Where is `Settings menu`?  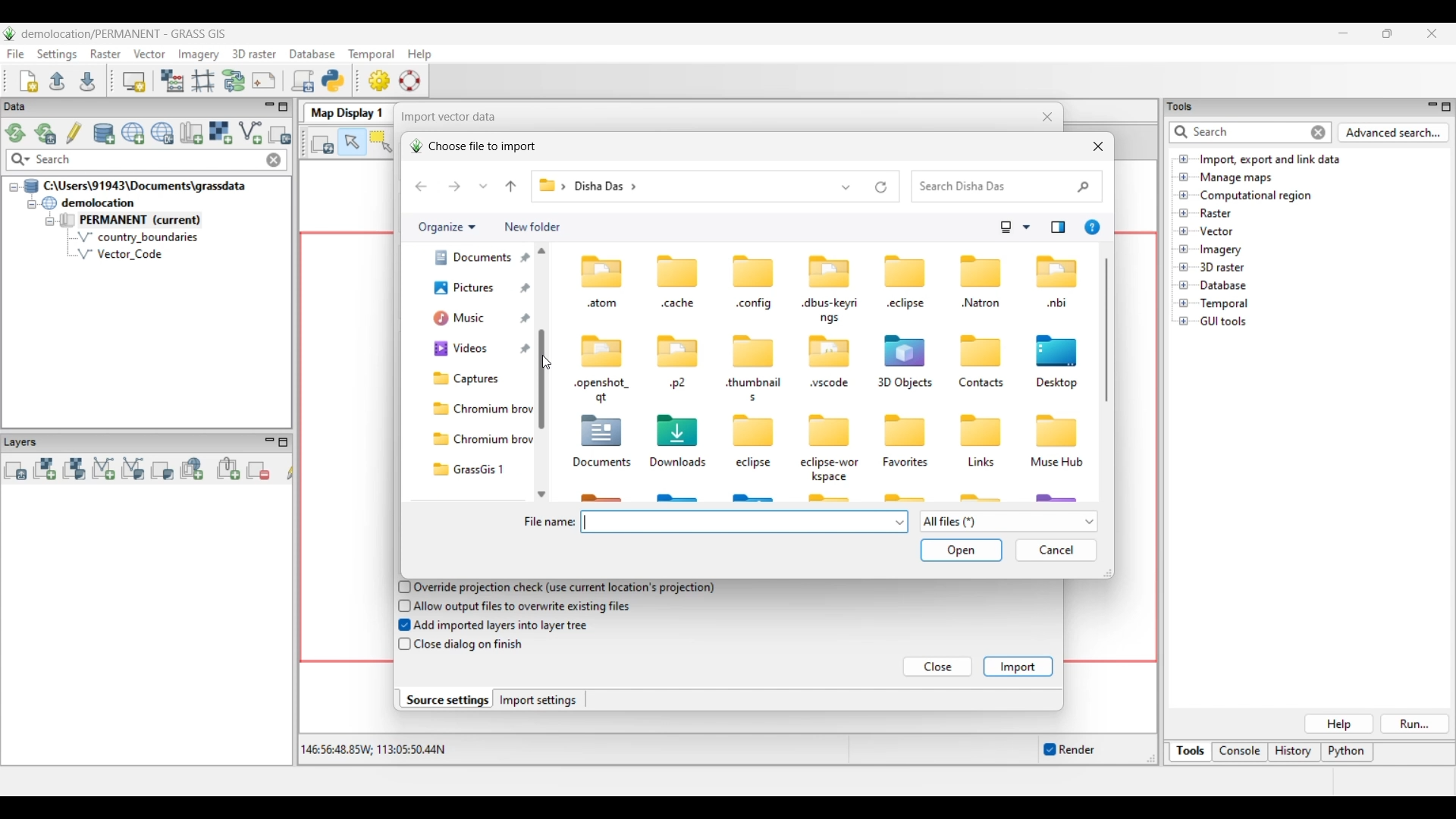
Settings menu is located at coordinates (57, 55).